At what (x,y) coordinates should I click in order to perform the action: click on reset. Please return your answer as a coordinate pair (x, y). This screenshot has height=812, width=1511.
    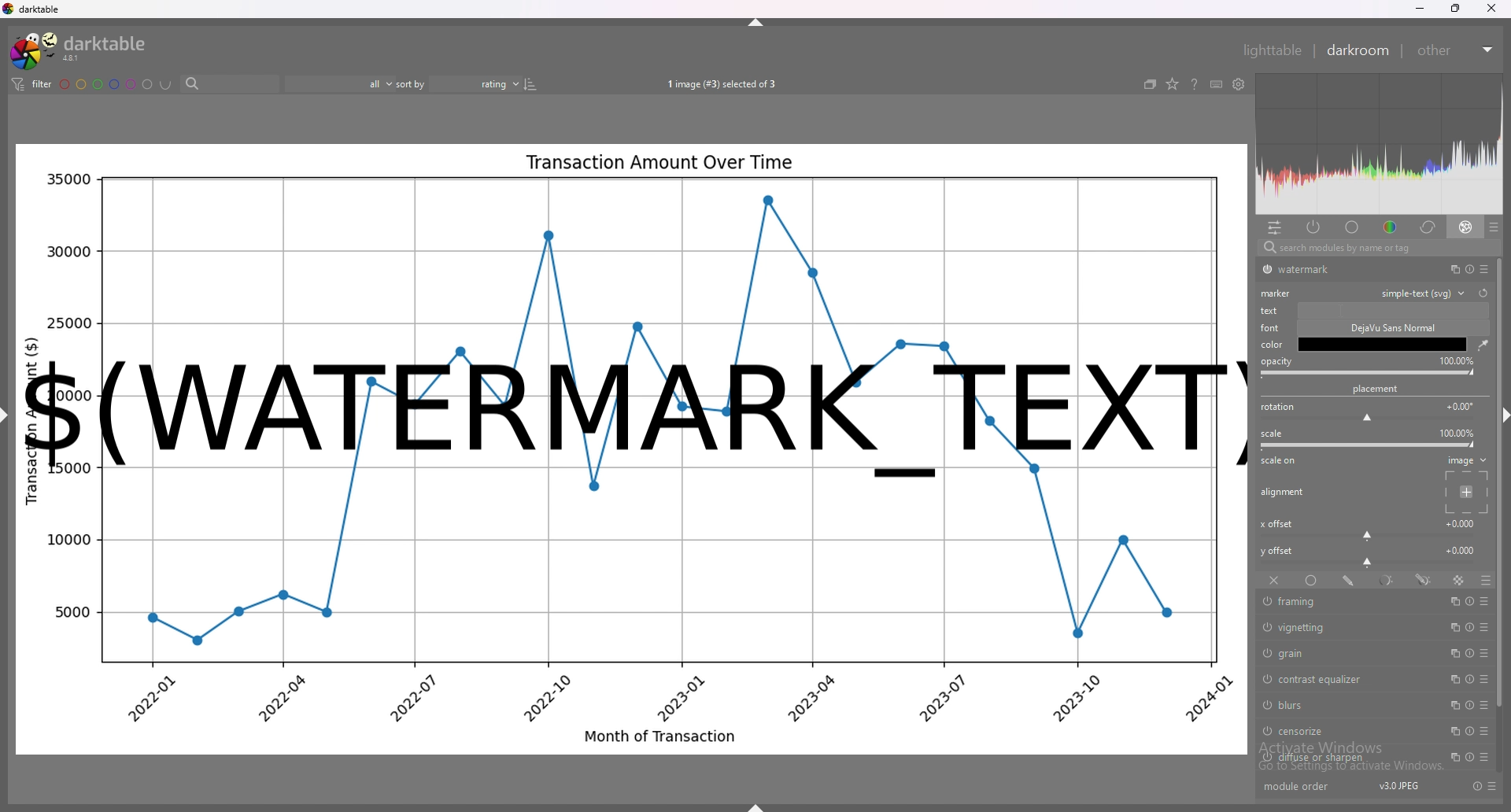
    Looking at the image, I should click on (1466, 756).